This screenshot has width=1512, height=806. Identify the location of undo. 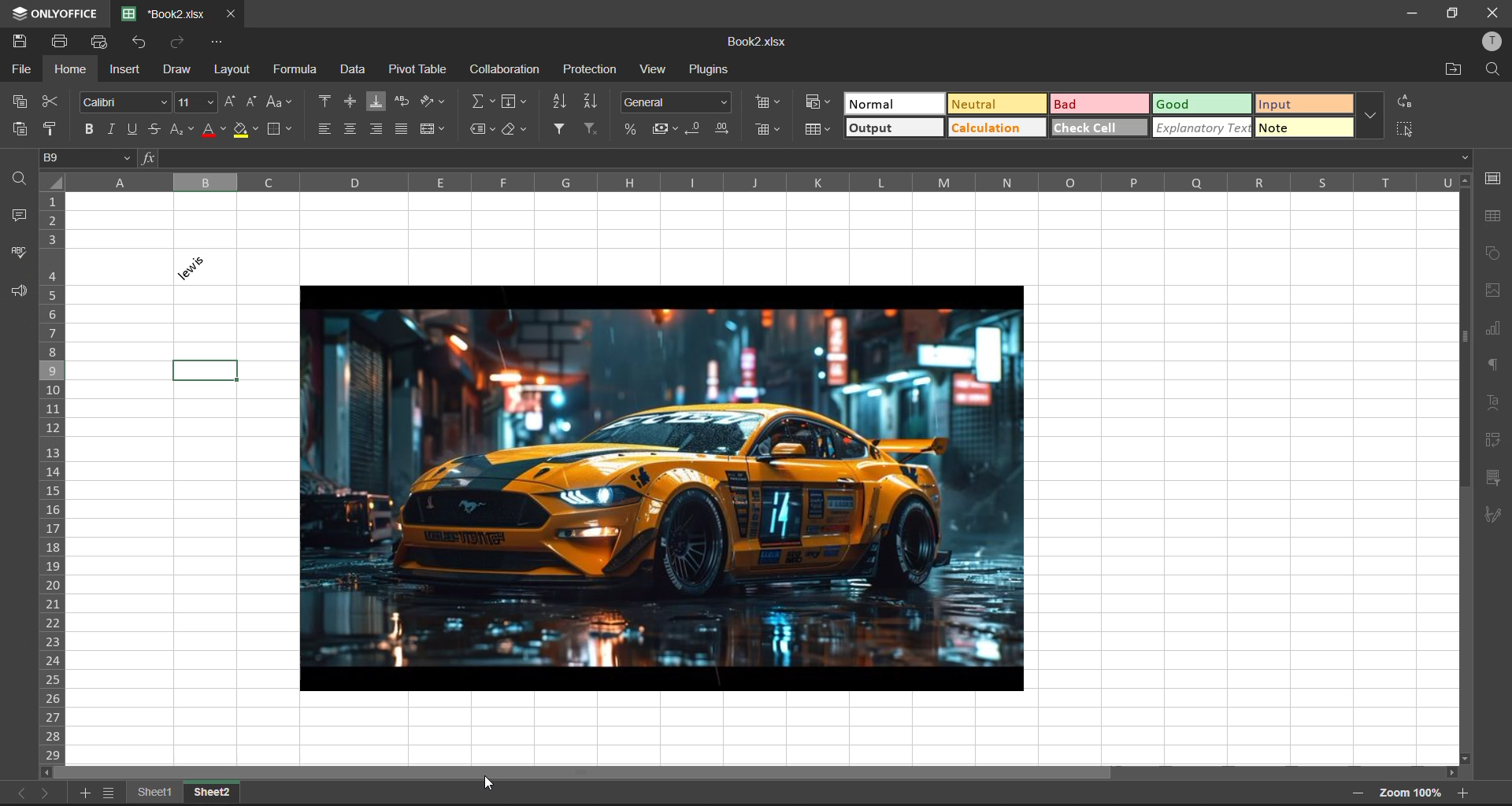
(145, 45).